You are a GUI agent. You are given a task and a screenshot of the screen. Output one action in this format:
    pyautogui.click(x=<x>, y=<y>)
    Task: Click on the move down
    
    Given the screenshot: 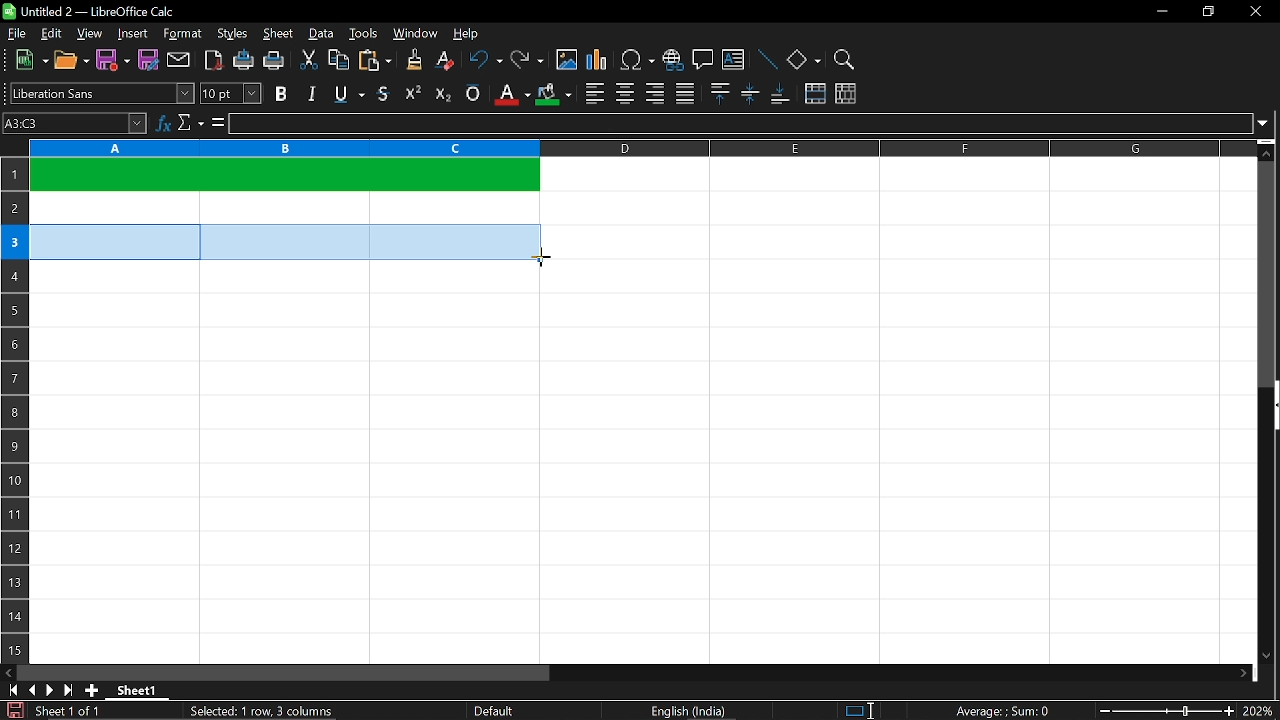 What is the action you would take?
    pyautogui.click(x=1270, y=657)
    